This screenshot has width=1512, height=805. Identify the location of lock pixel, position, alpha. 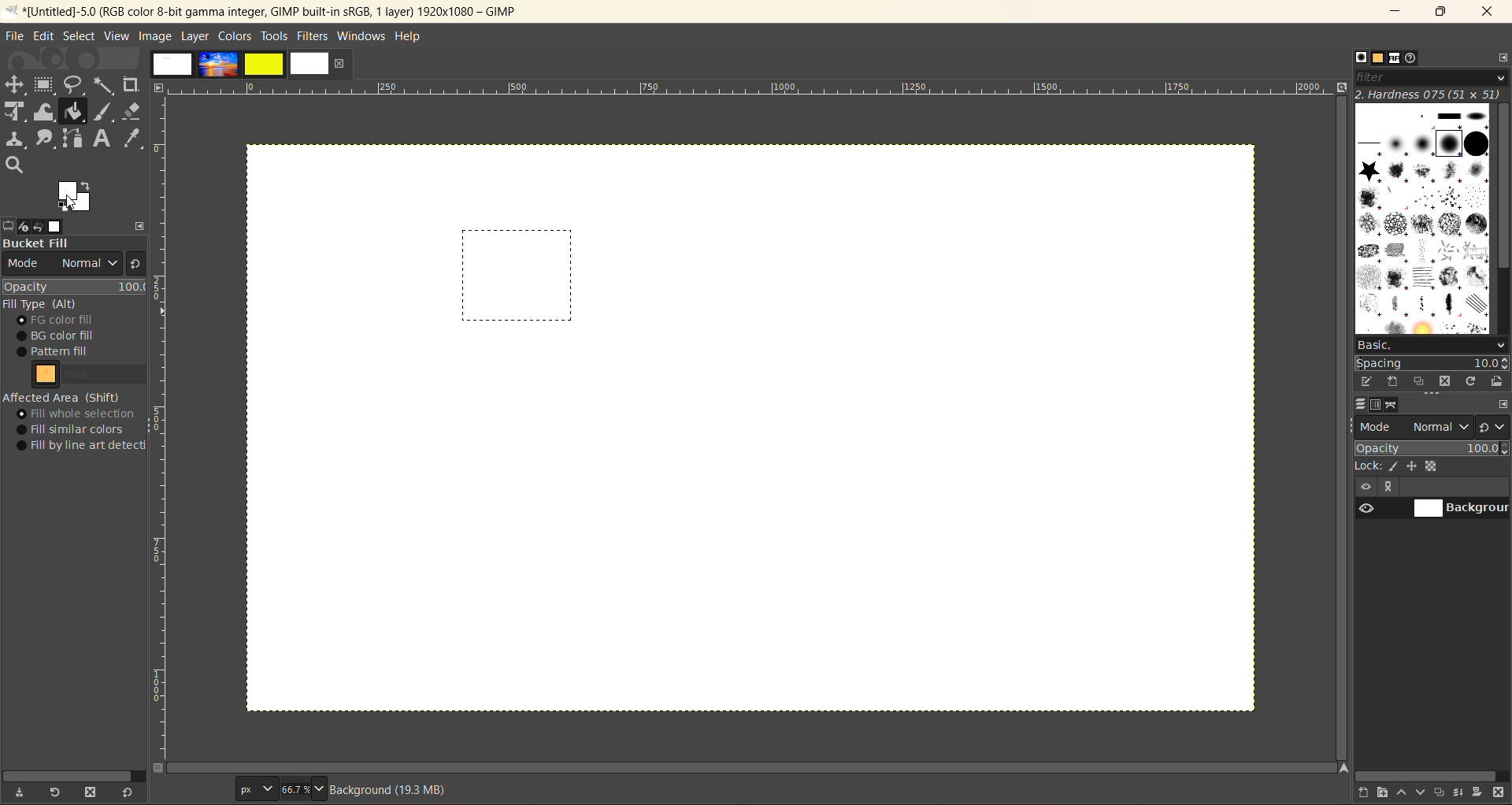
(1432, 469).